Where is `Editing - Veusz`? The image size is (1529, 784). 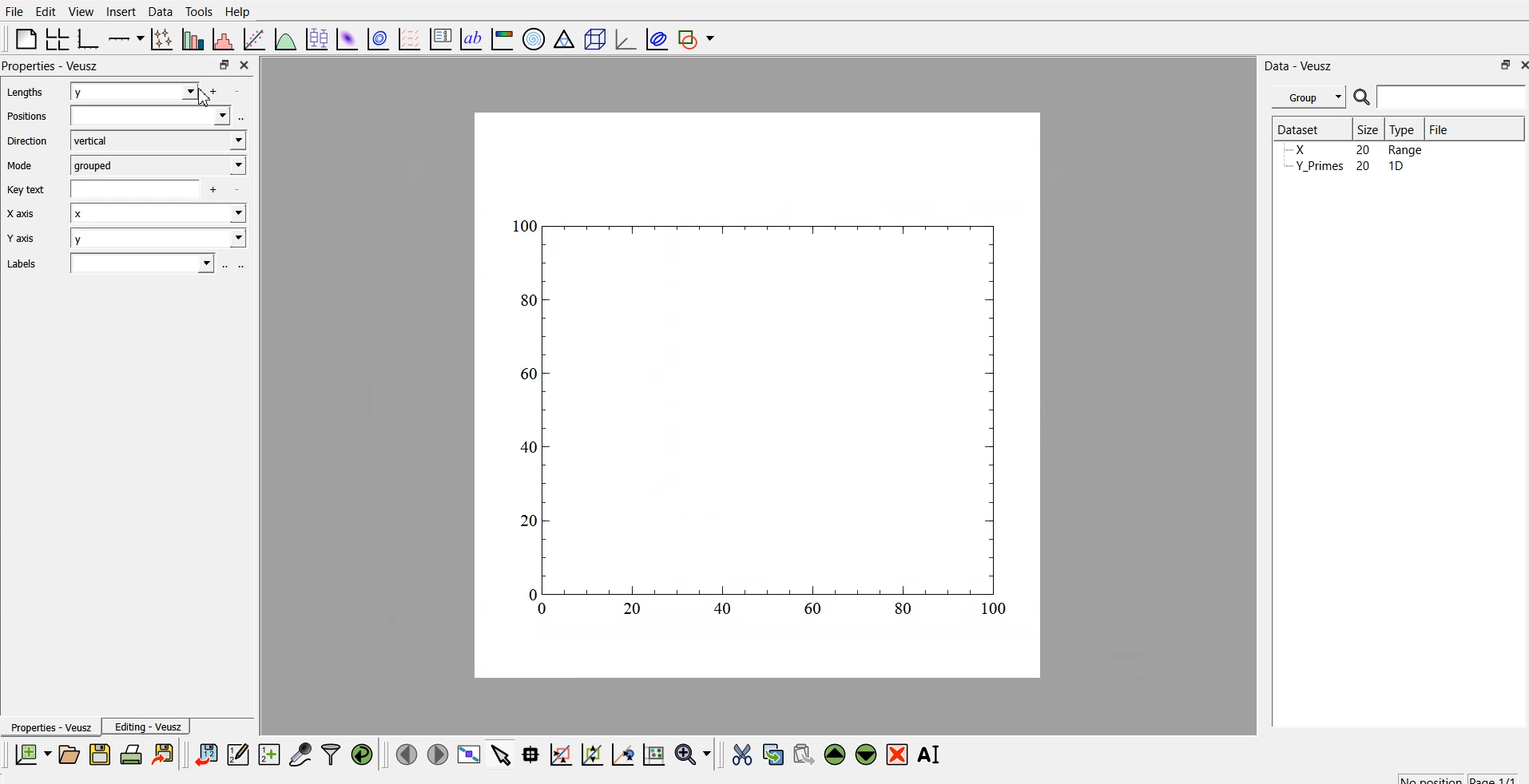
Editing - Veusz is located at coordinates (150, 727).